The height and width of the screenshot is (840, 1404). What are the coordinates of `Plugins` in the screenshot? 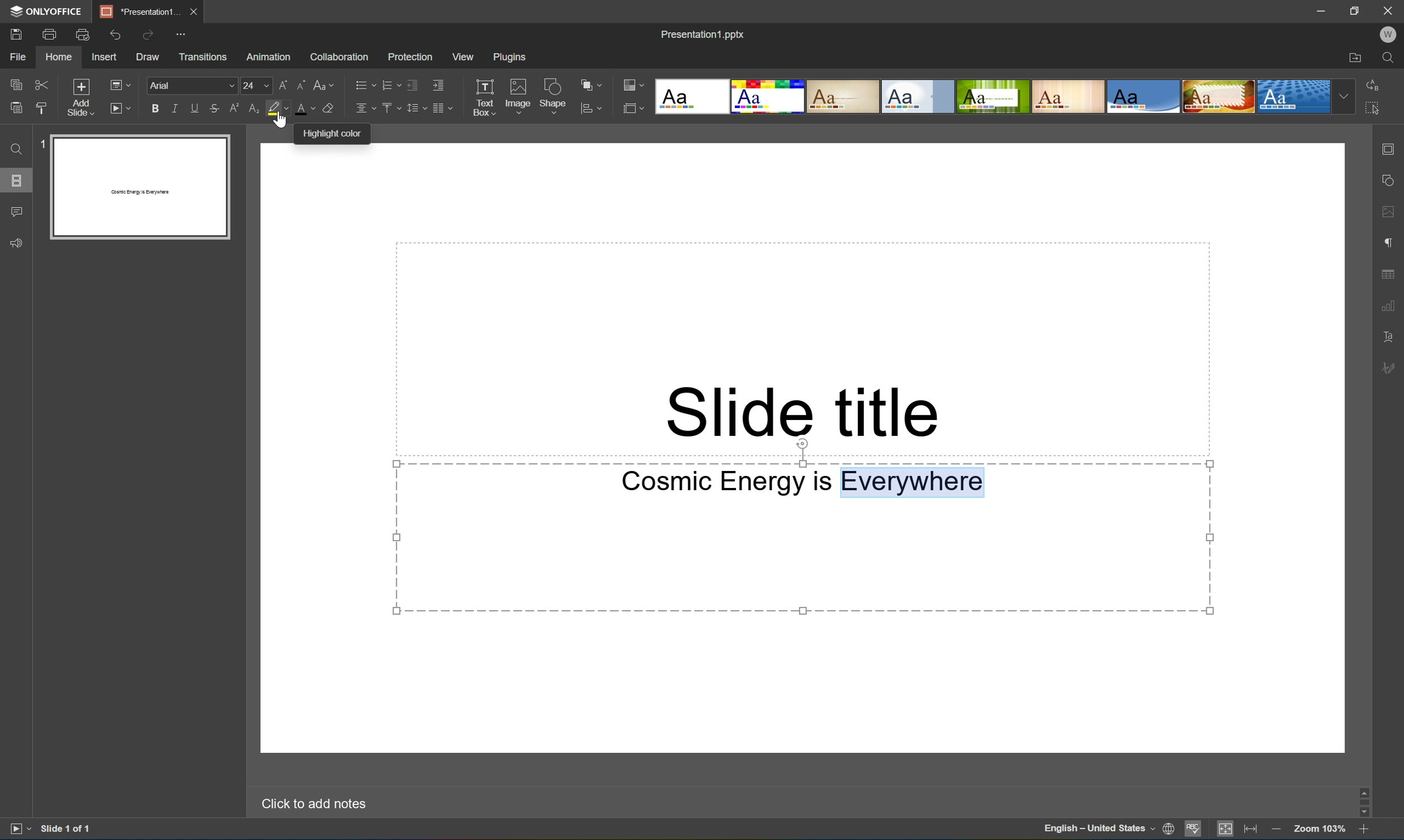 It's located at (513, 59).